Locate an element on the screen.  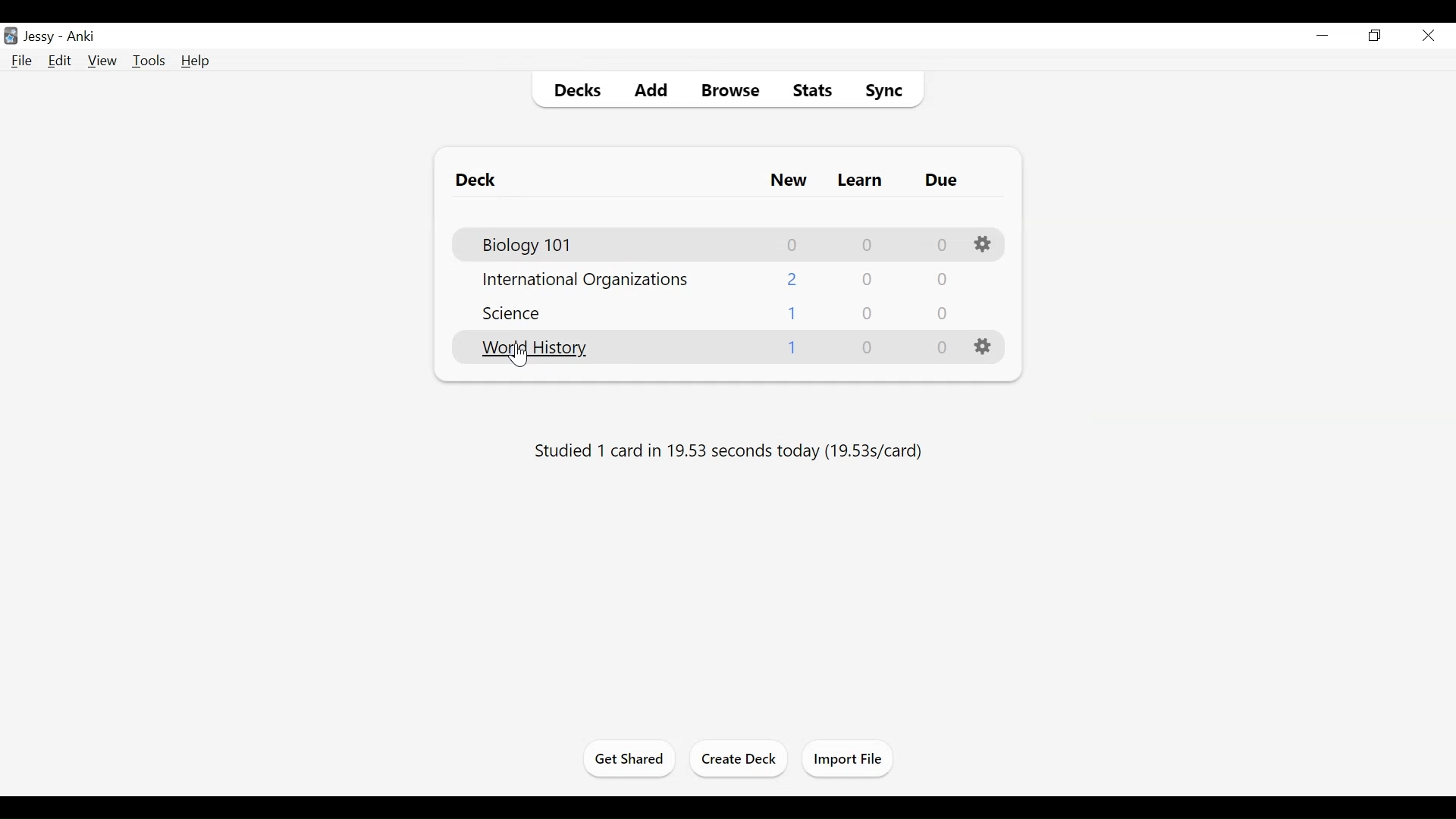
Anki Desktop Icon is located at coordinates (11, 35).